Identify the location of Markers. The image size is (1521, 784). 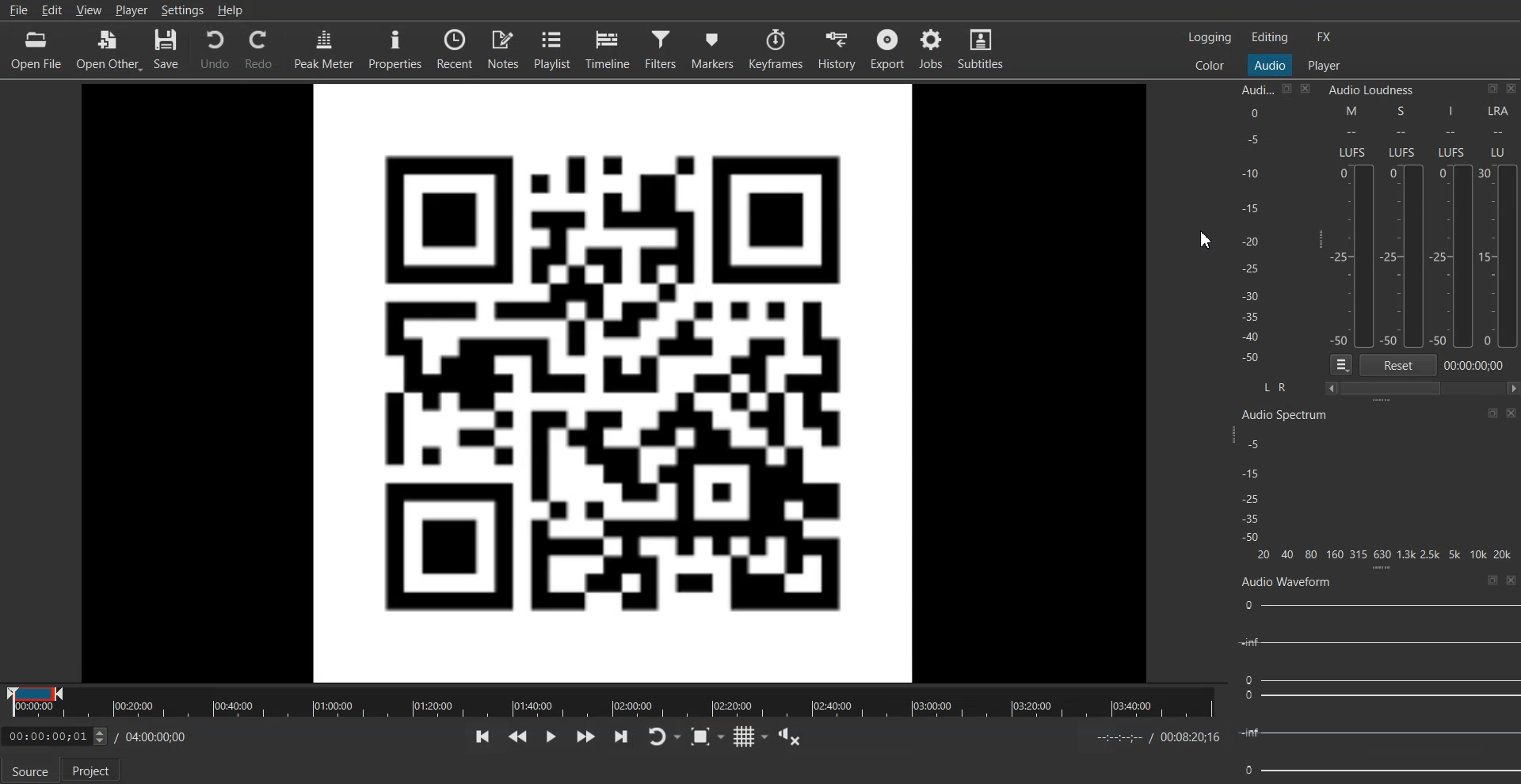
(713, 50).